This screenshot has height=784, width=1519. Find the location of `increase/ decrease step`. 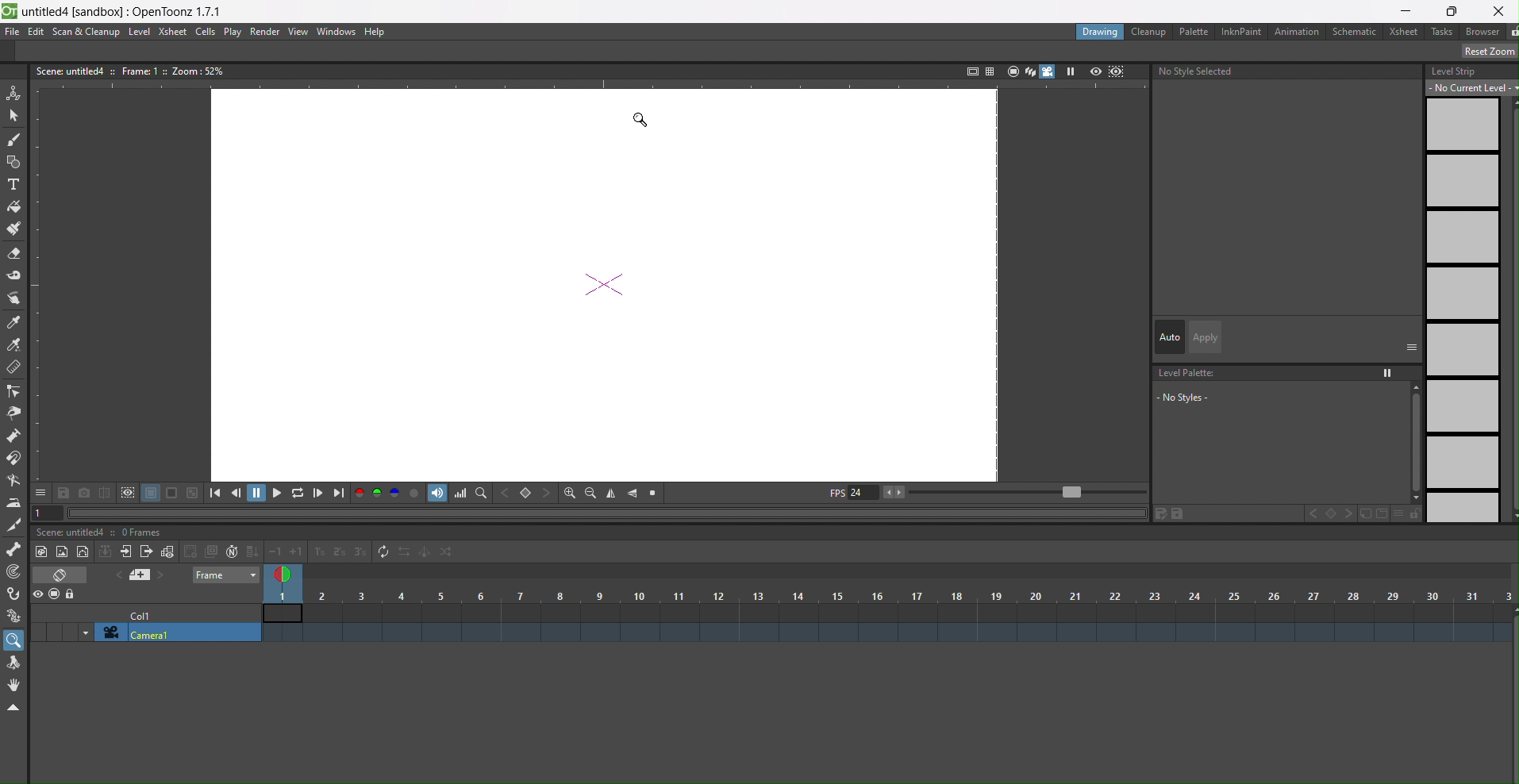

increase/ decrease step is located at coordinates (317, 553).